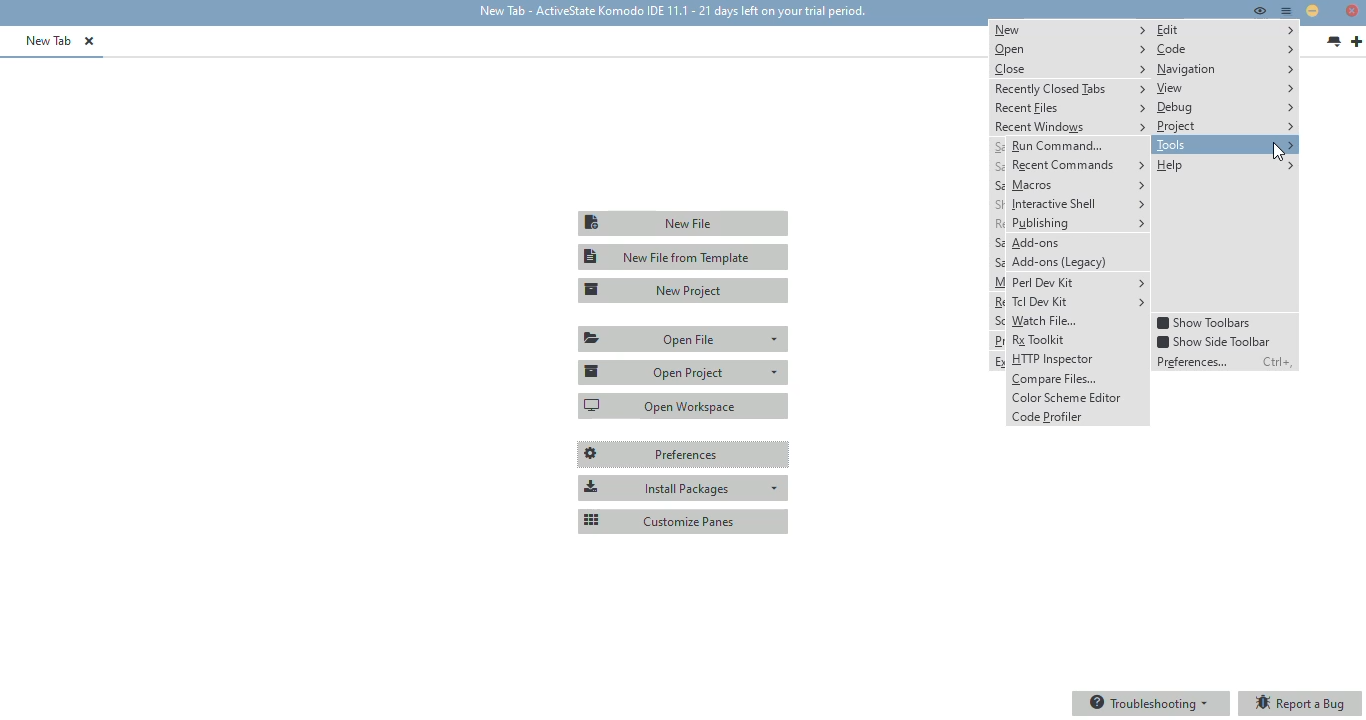 The height and width of the screenshot is (720, 1366). Describe the element at coordinates (49, 40) in the screenshot. I see `new tab` at that location.